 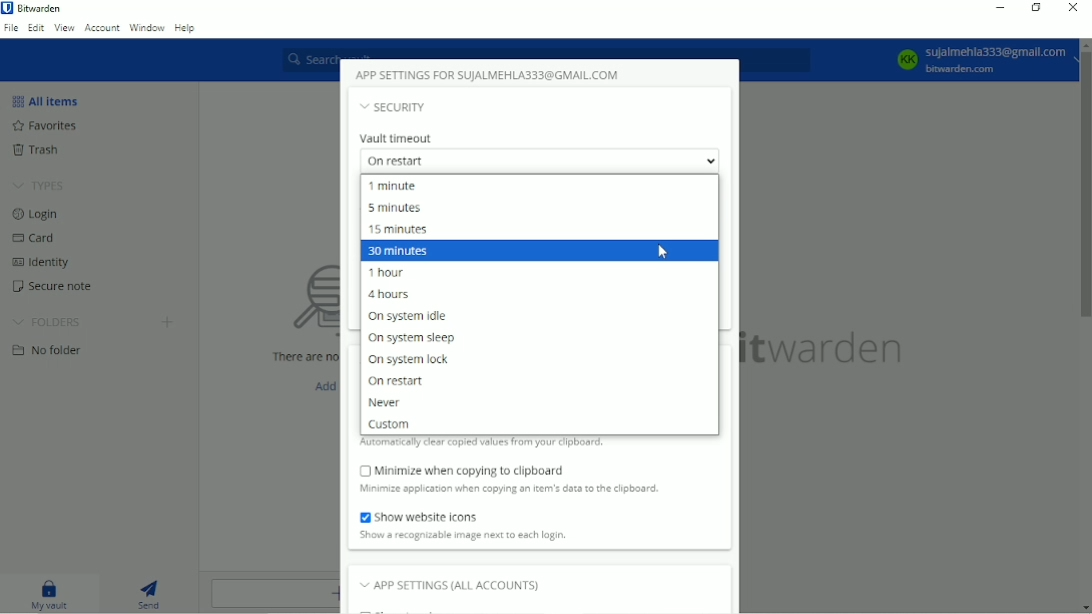 What do you see at coordinates (410, 359) in the screenshot?
I see `On system lock` at bounding box center [410, 359].